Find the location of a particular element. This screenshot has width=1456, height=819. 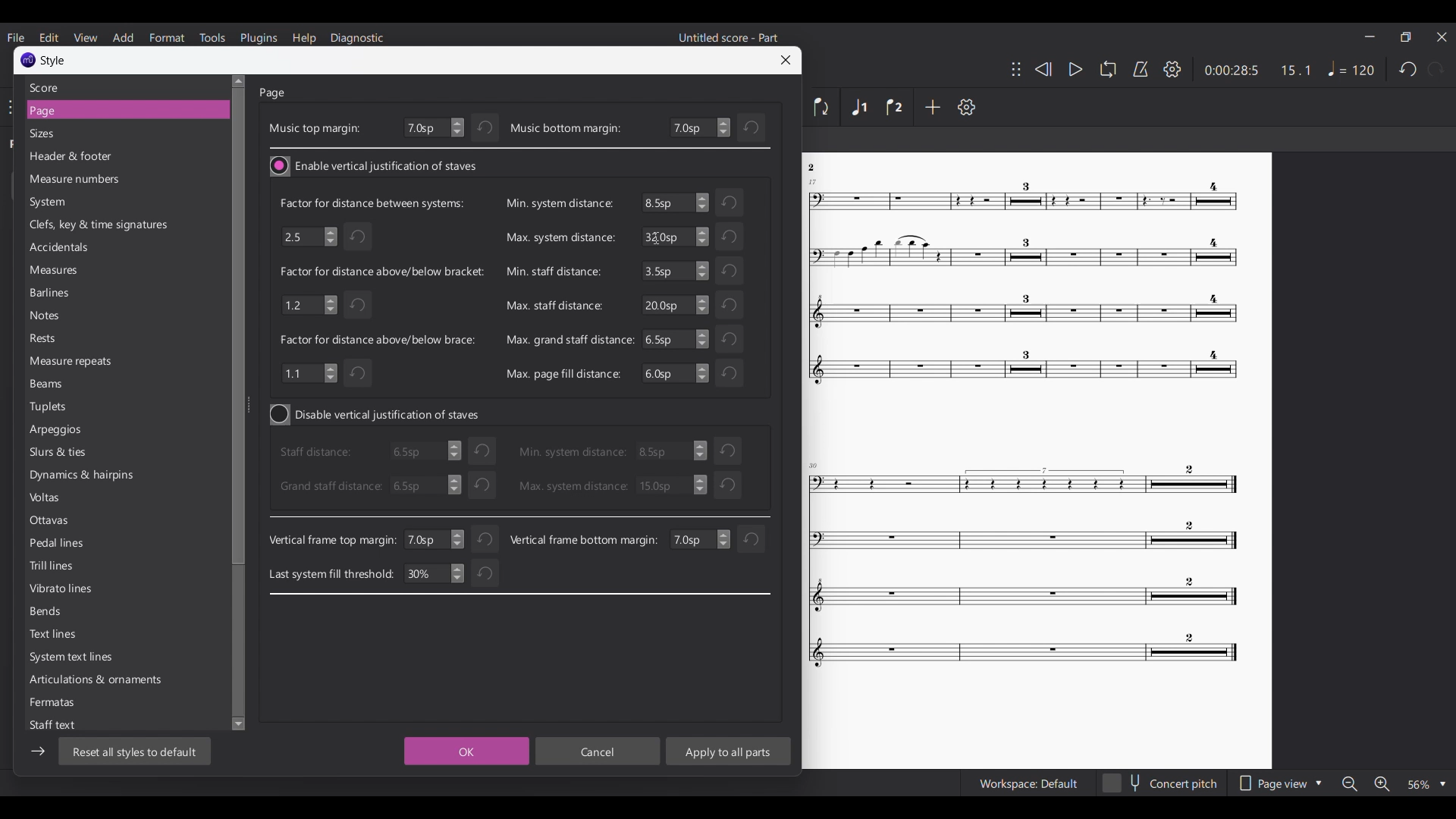

Fermates is located at coordinates (80, 706).